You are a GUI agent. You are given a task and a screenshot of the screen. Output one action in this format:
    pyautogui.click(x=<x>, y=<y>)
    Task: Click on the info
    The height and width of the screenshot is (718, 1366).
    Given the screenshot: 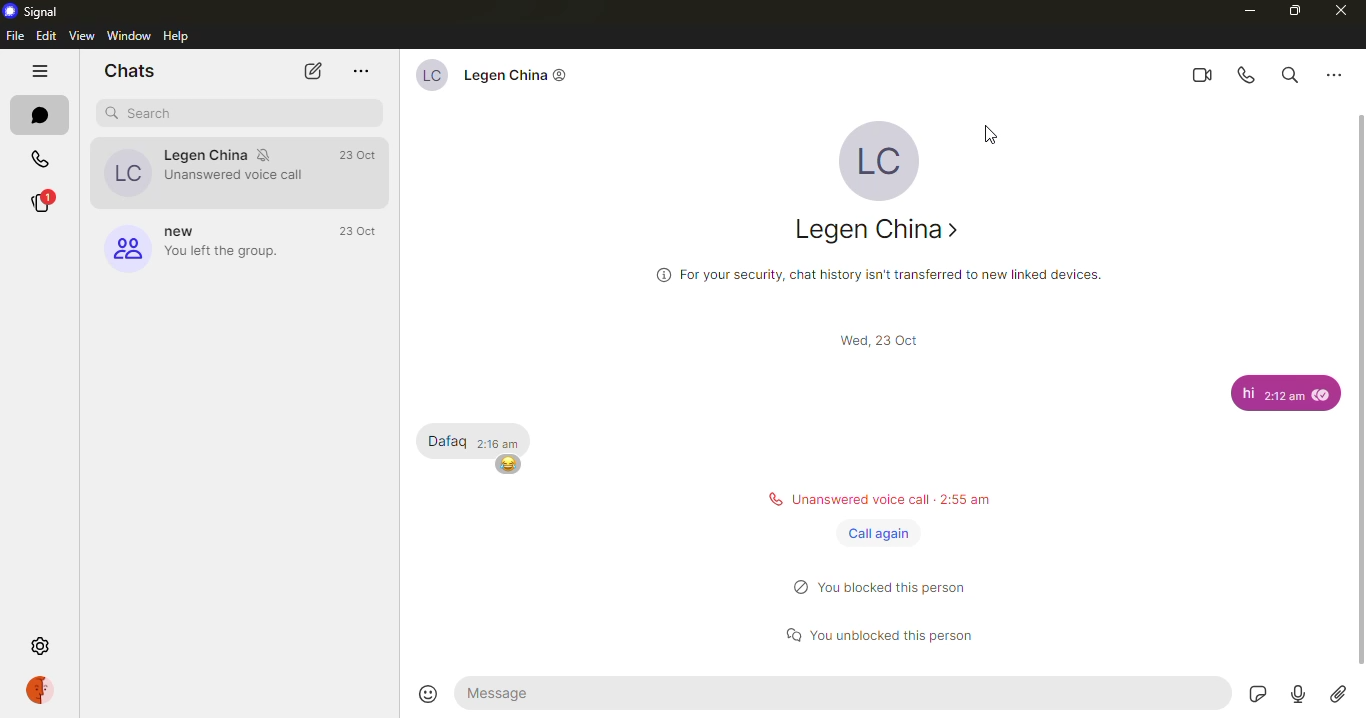 What is the action you would take?
    pyautogui.click(x=880, y=272)
    